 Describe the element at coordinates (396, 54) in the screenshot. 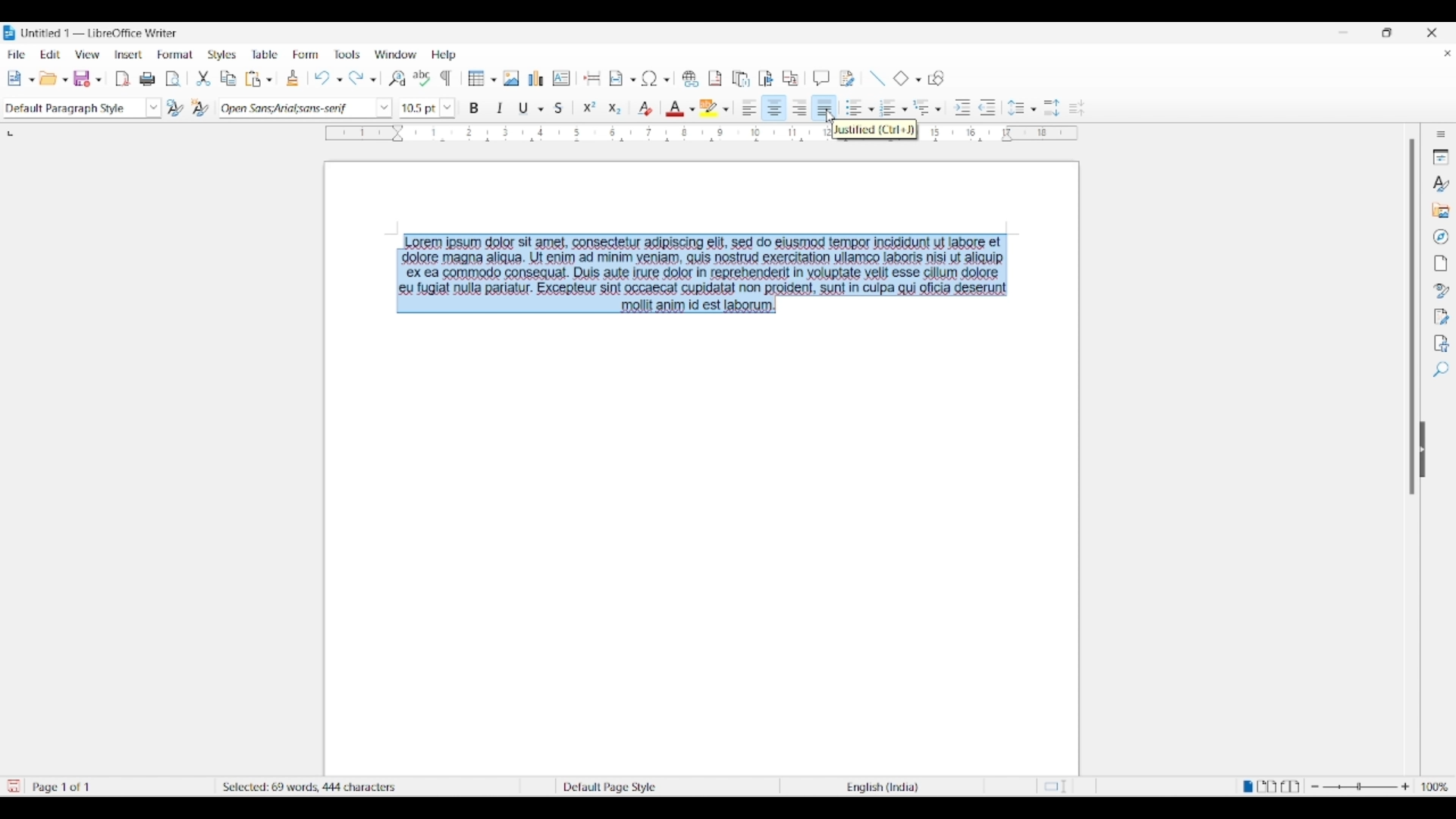

I see `Window` at that location.